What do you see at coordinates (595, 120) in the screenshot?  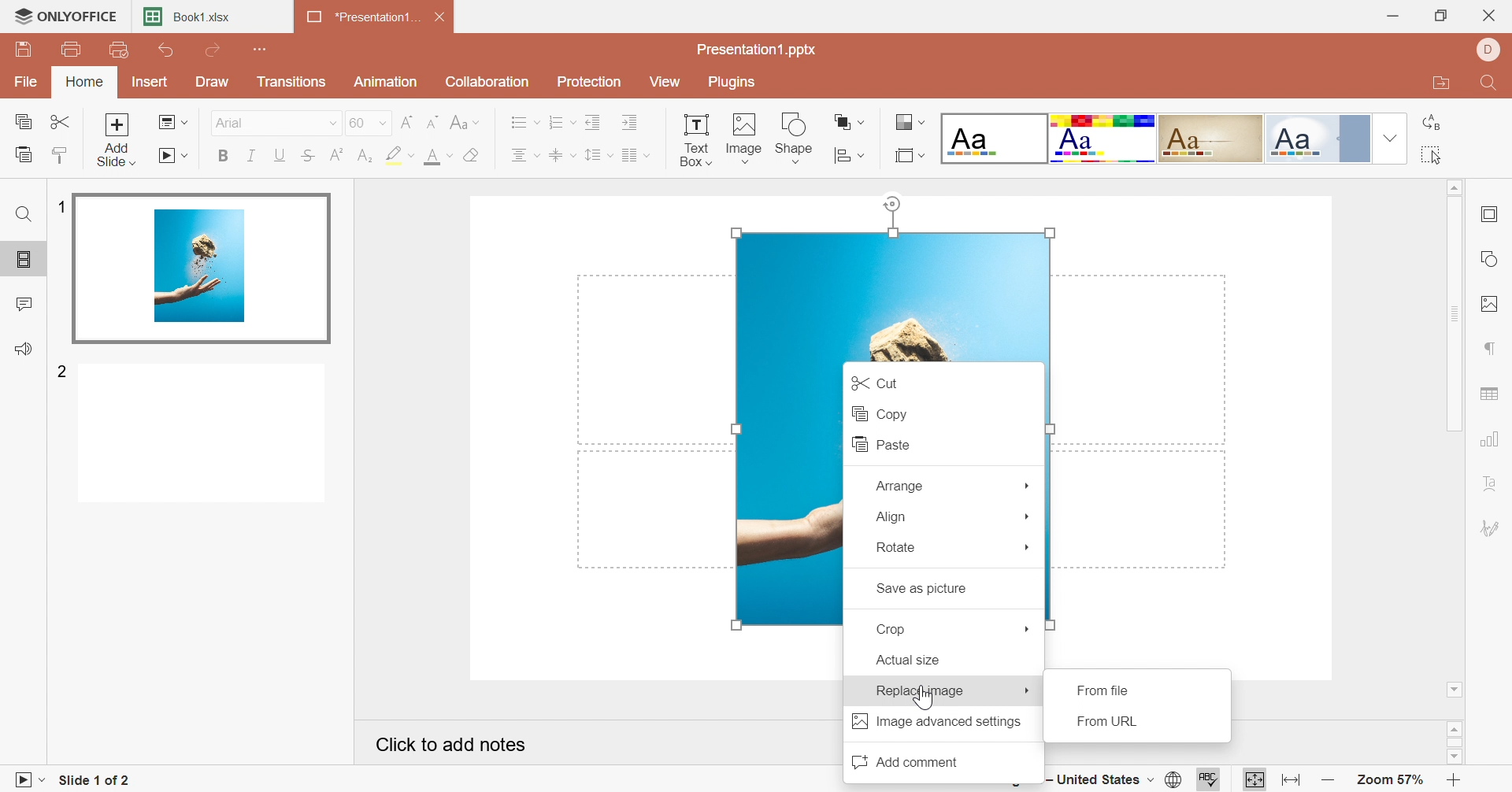 I see `Decrease indent` at bounding box center [595, 120].